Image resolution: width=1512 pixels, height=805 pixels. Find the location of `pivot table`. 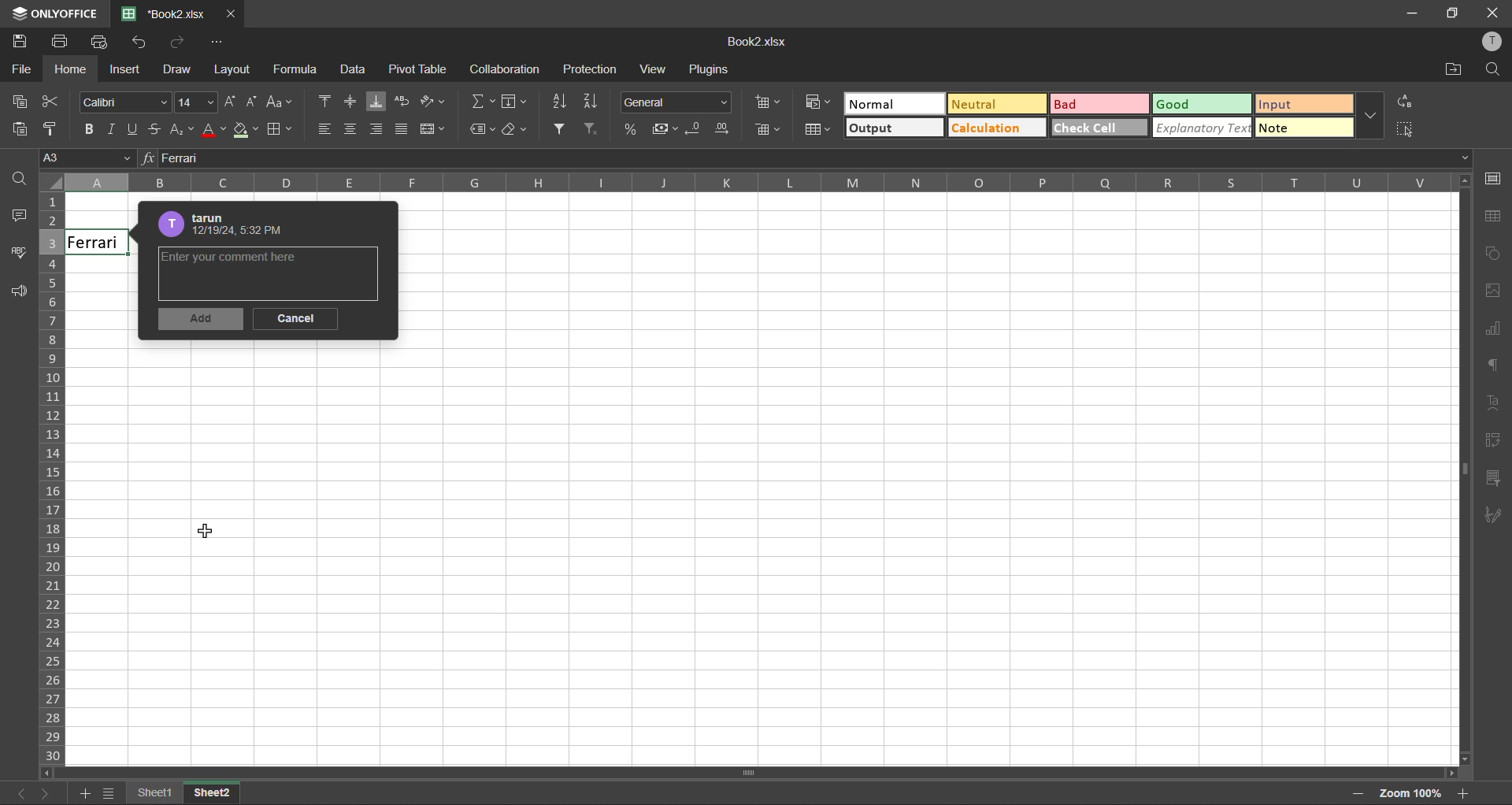

pivot table is located at coordinates (1494, 443).